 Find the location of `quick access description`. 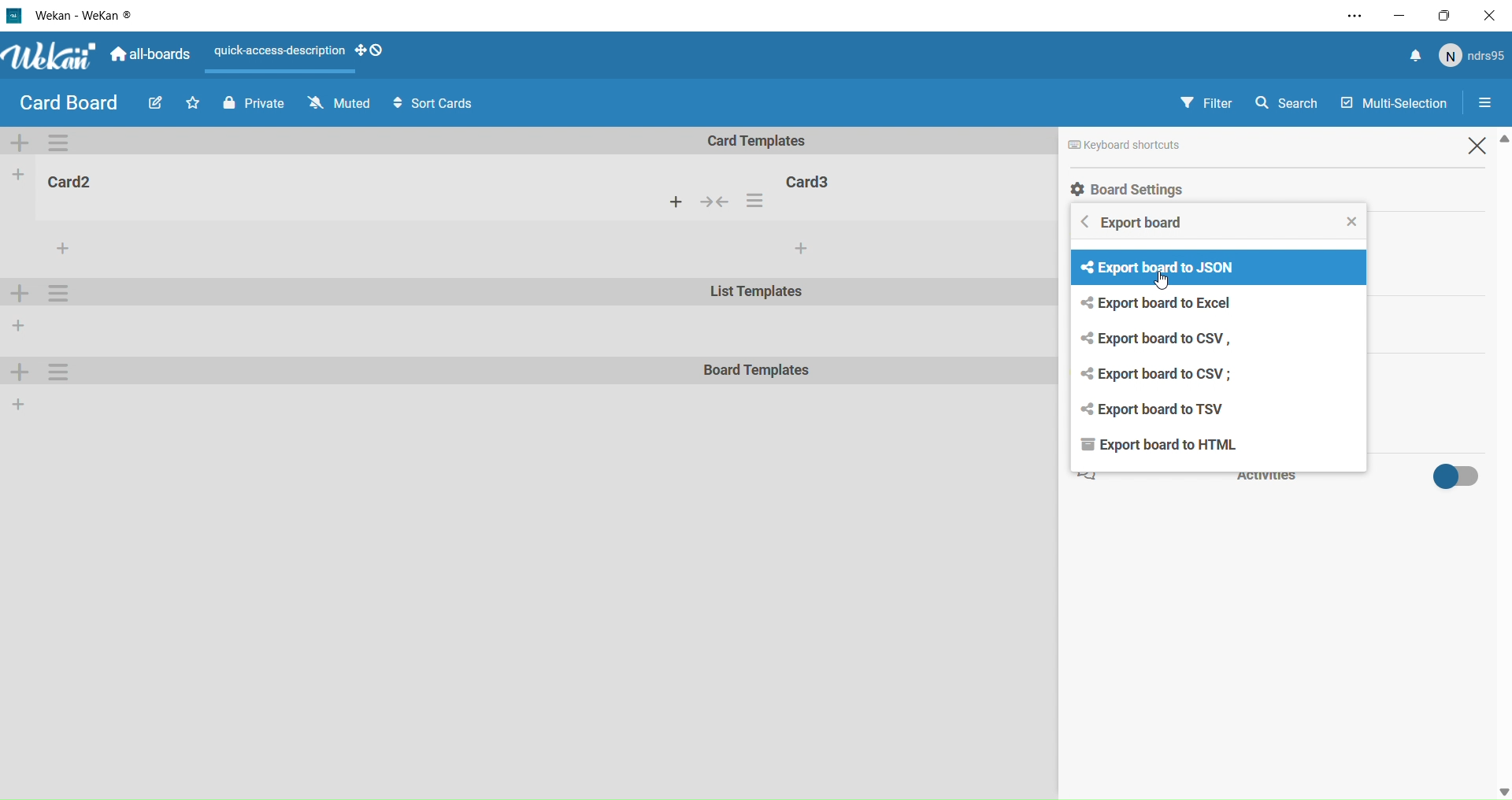

quick access description is located at coordinates (276, 51).